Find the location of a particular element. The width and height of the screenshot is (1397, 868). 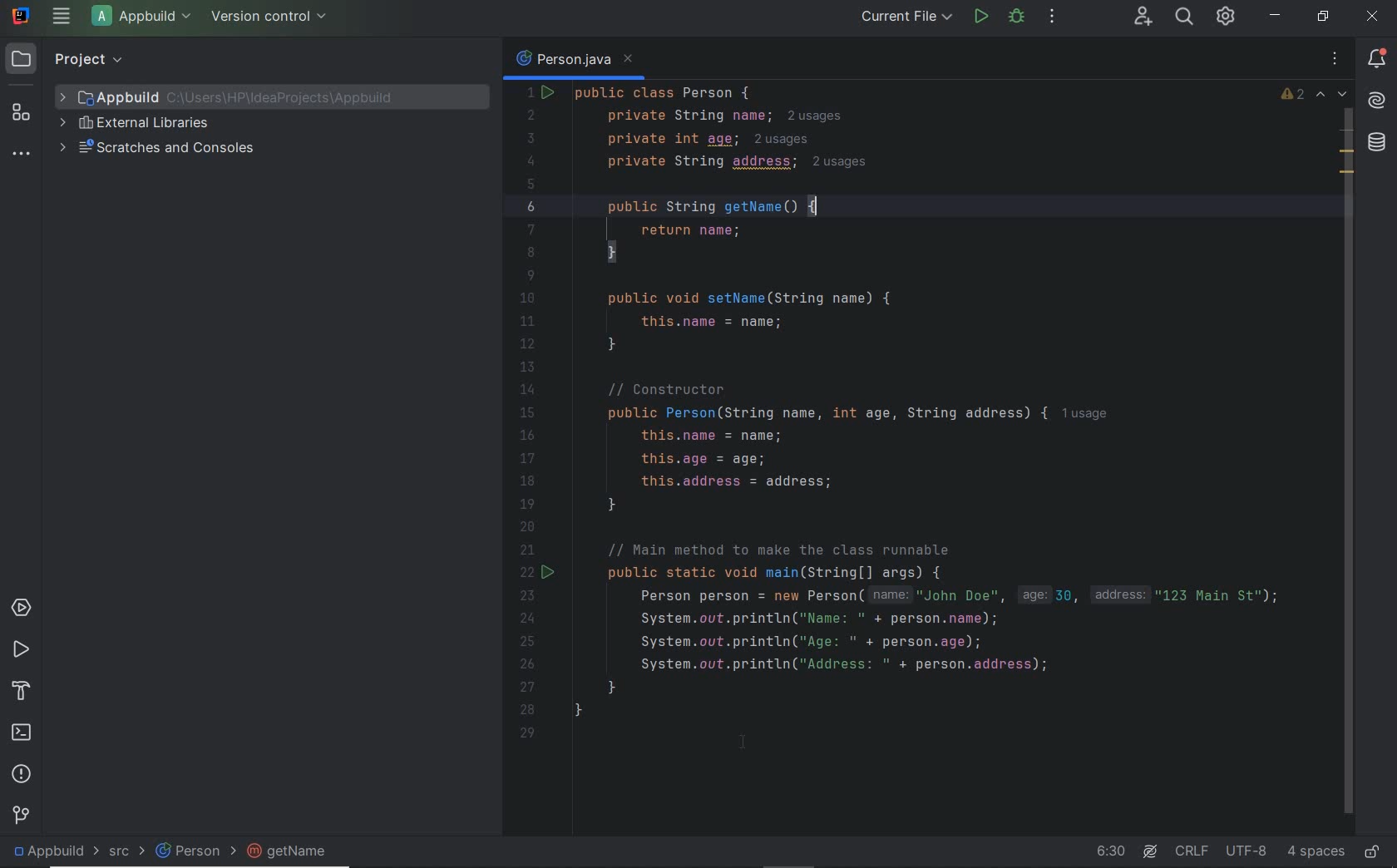

terminal is located at coordinates (22, 730).